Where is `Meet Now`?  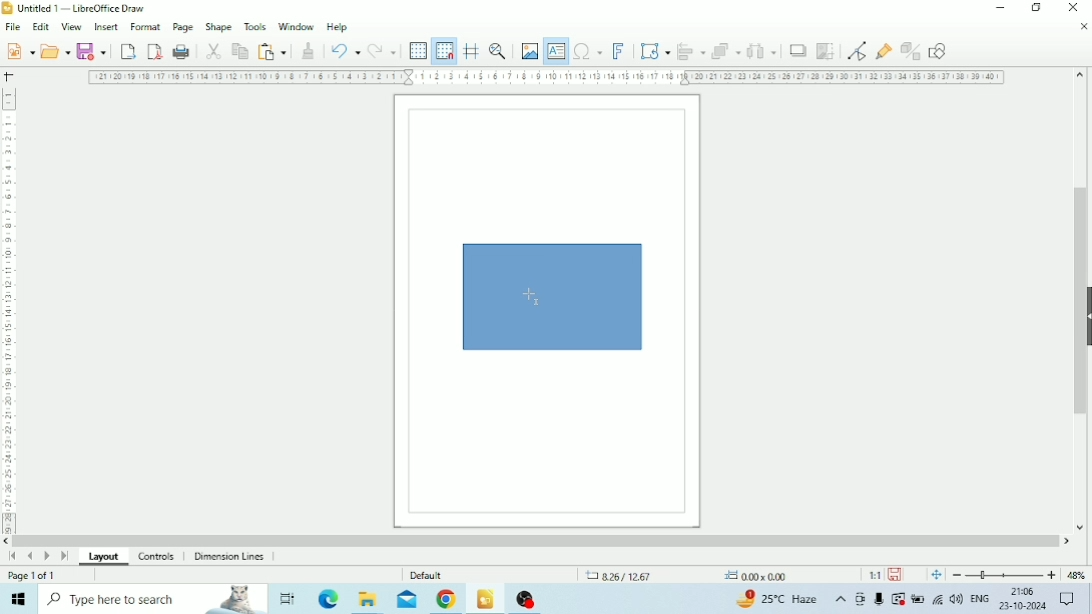 Meet Now is located at coordinates (860, 599).